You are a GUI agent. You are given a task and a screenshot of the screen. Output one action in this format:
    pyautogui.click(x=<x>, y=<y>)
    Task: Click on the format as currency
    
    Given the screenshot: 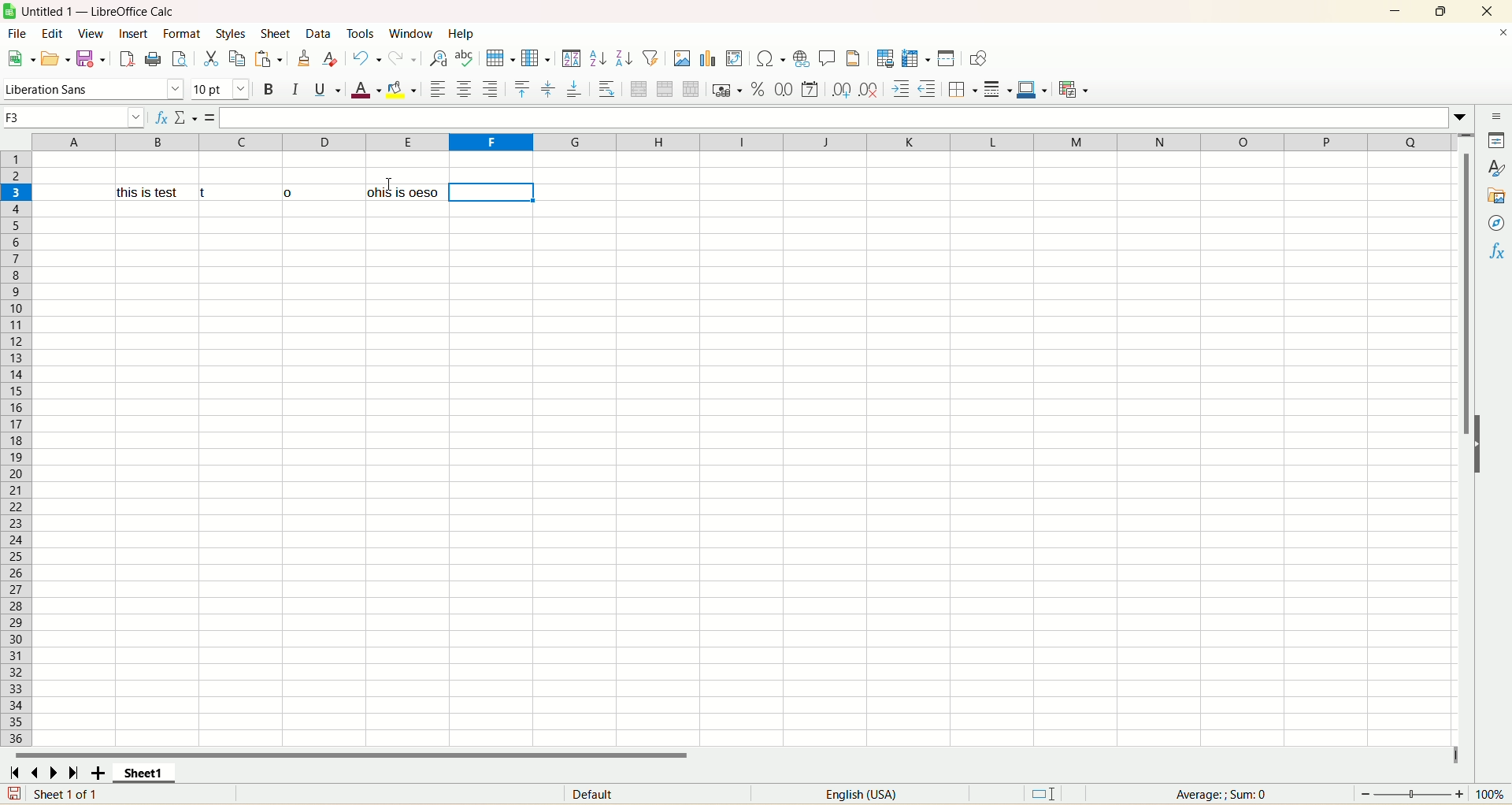 What is the action you would take?
    pyautogui.click(x=727, y=91)
    